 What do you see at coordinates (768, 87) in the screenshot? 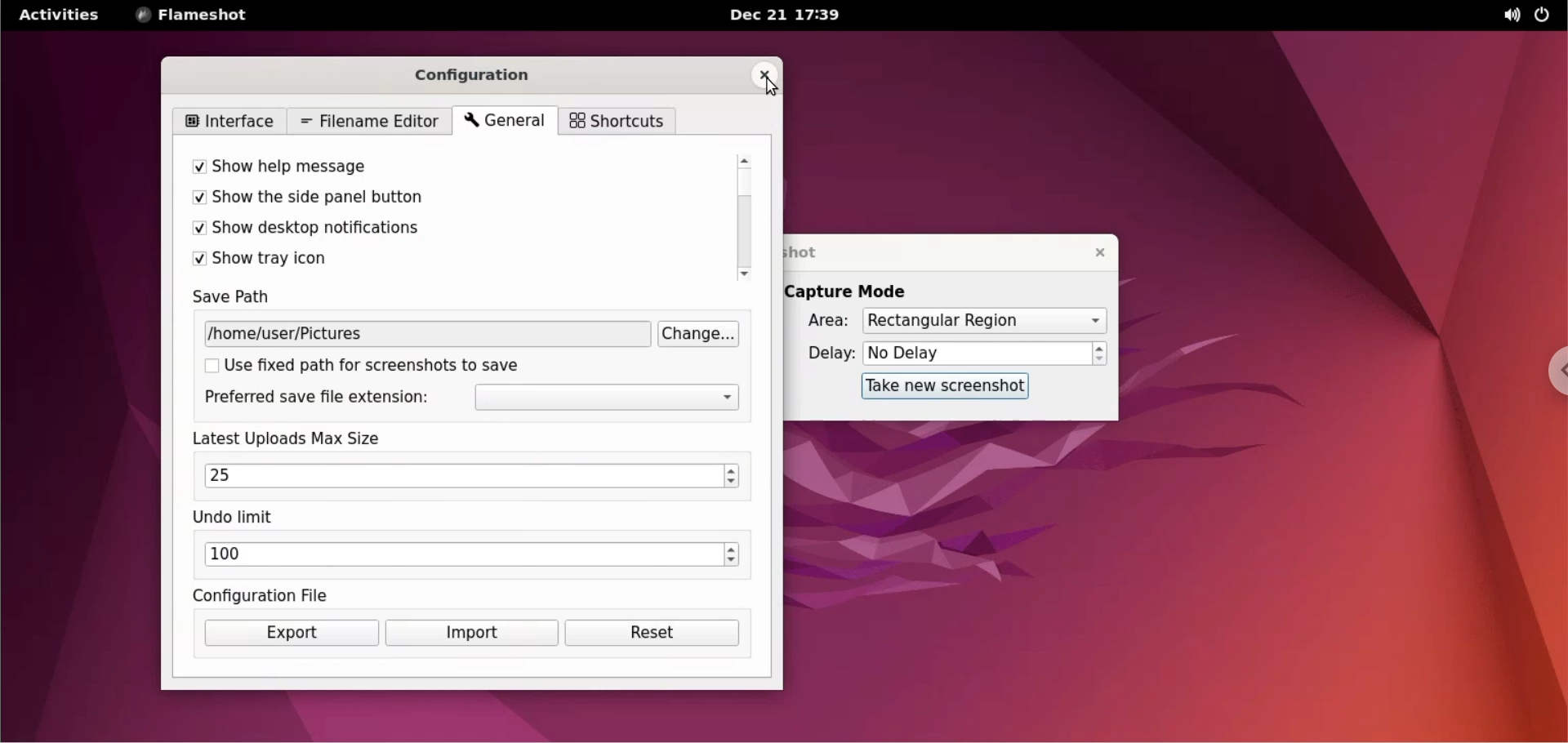
I see `cursor` at bounding box center [768, 87].